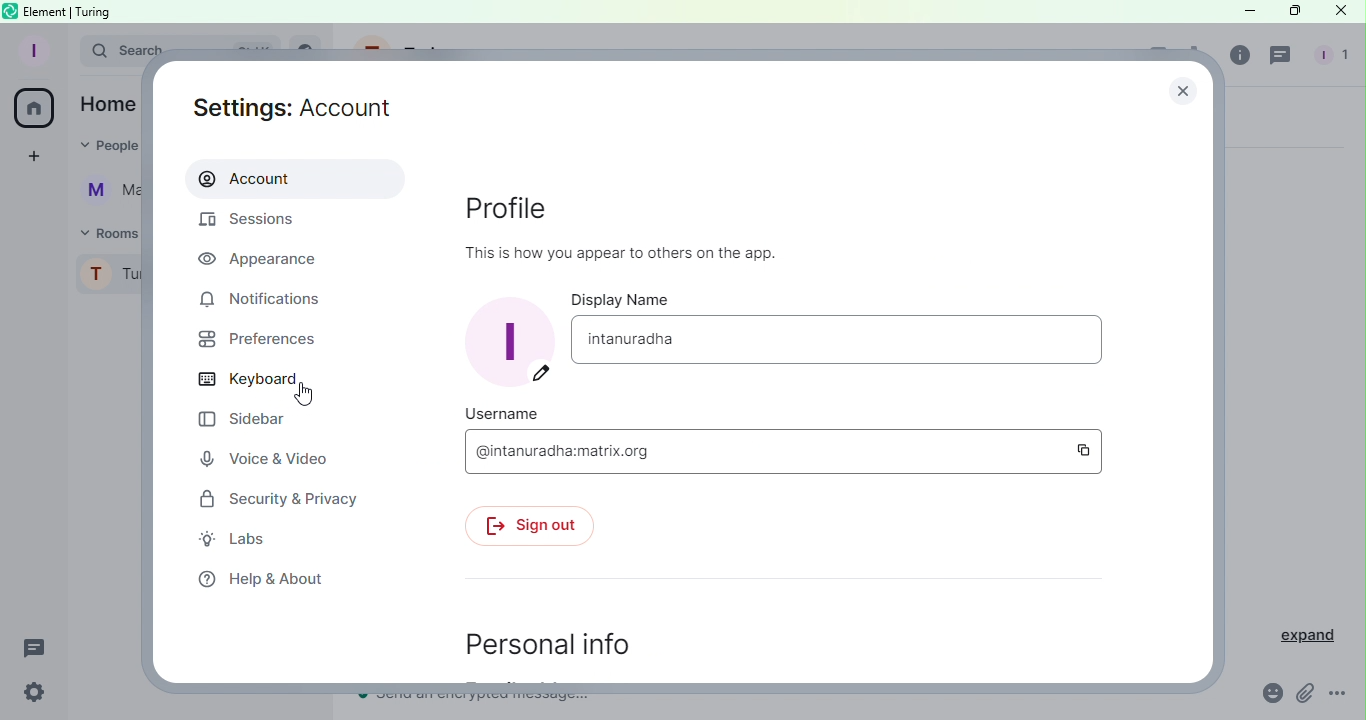  What do you see at coordinates (501, 347) in the screenshot?
I see `Display picture` at bounding box center [501, 347].